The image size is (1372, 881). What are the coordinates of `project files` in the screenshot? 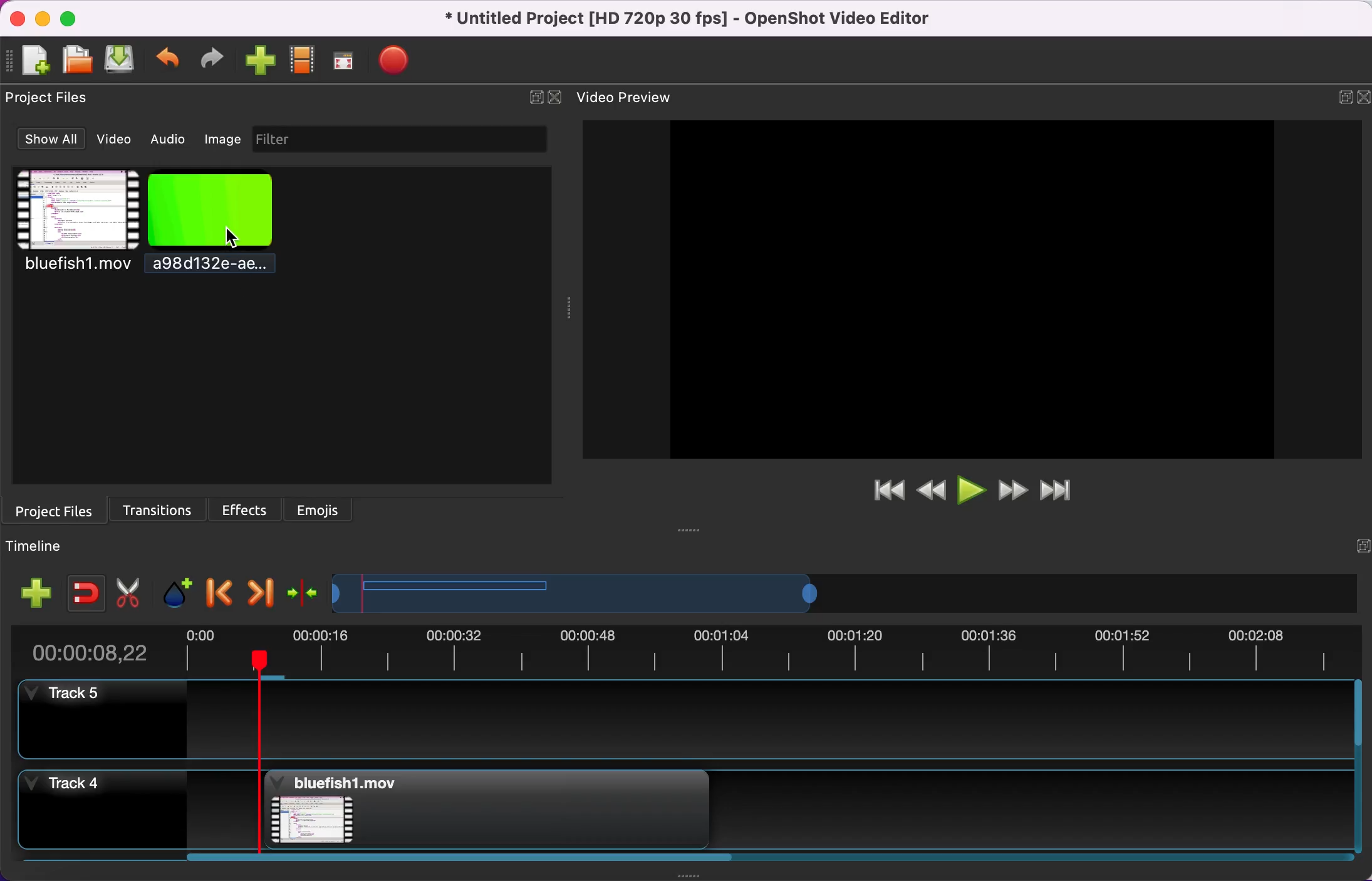 It's located at (56, 100).